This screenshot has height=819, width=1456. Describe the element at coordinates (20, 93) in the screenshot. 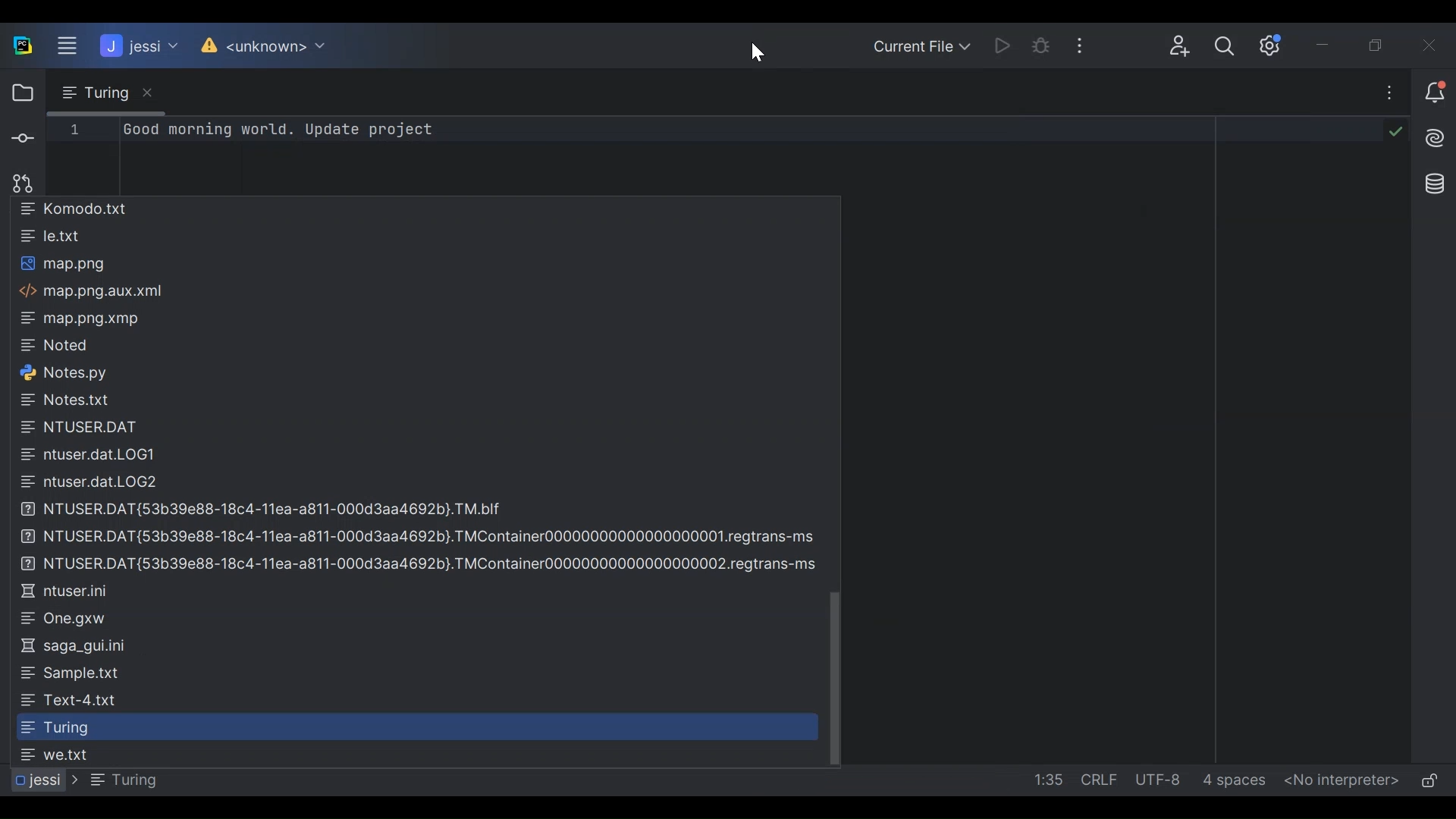

I see `Project View` at that location.